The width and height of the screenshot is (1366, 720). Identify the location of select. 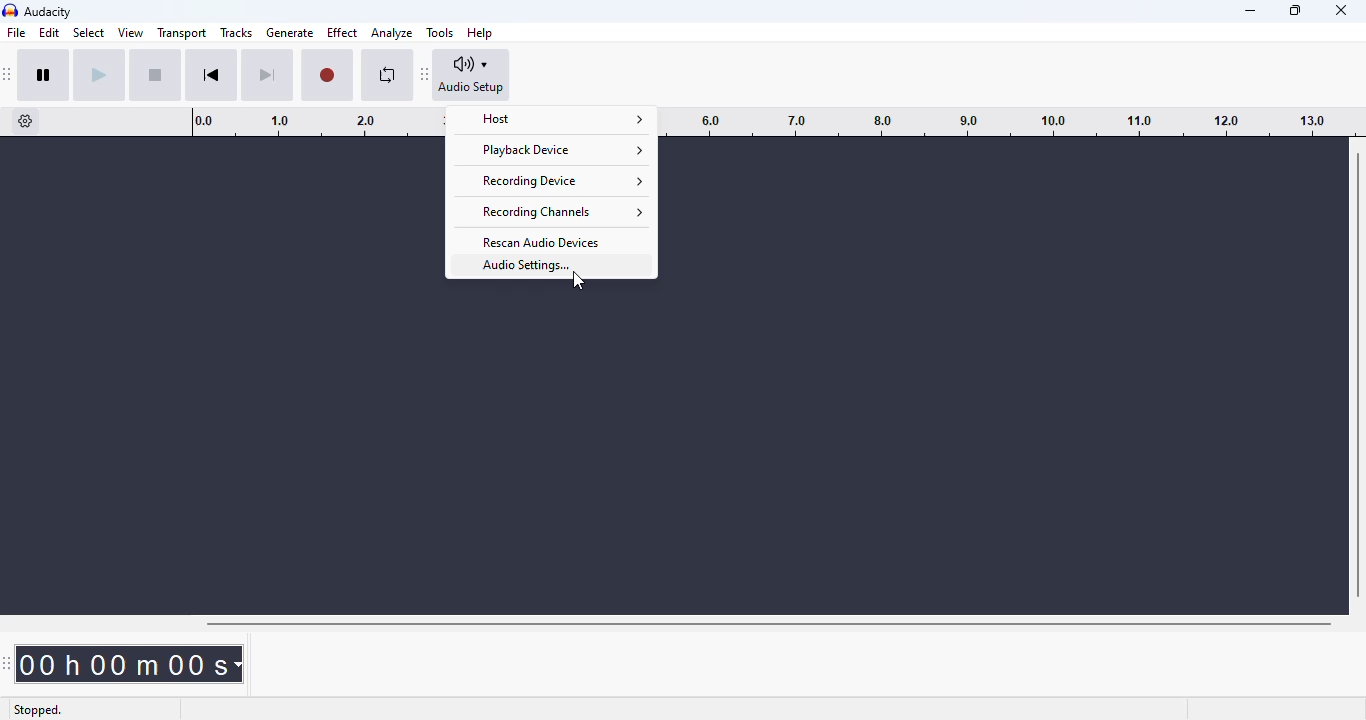
(90, 33).